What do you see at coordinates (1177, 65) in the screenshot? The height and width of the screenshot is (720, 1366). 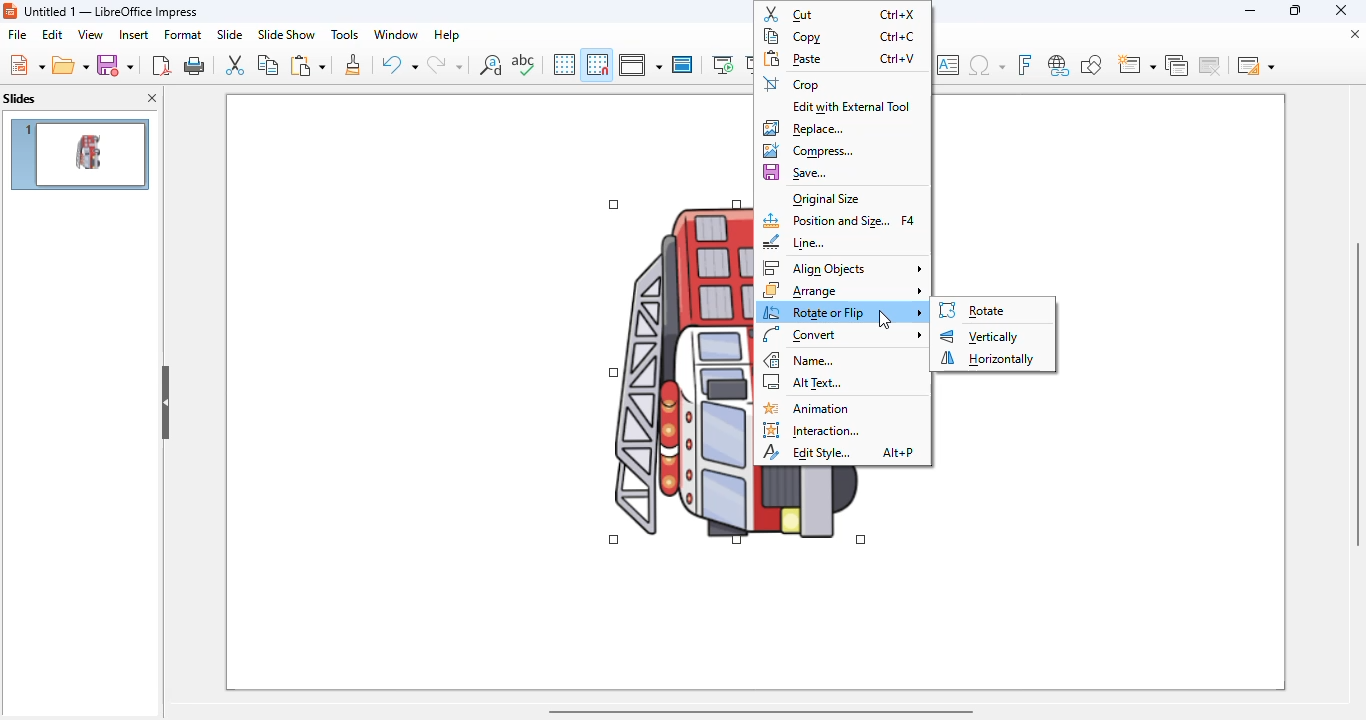 I see `duplicate slide` at bounding box center [1177, 65].